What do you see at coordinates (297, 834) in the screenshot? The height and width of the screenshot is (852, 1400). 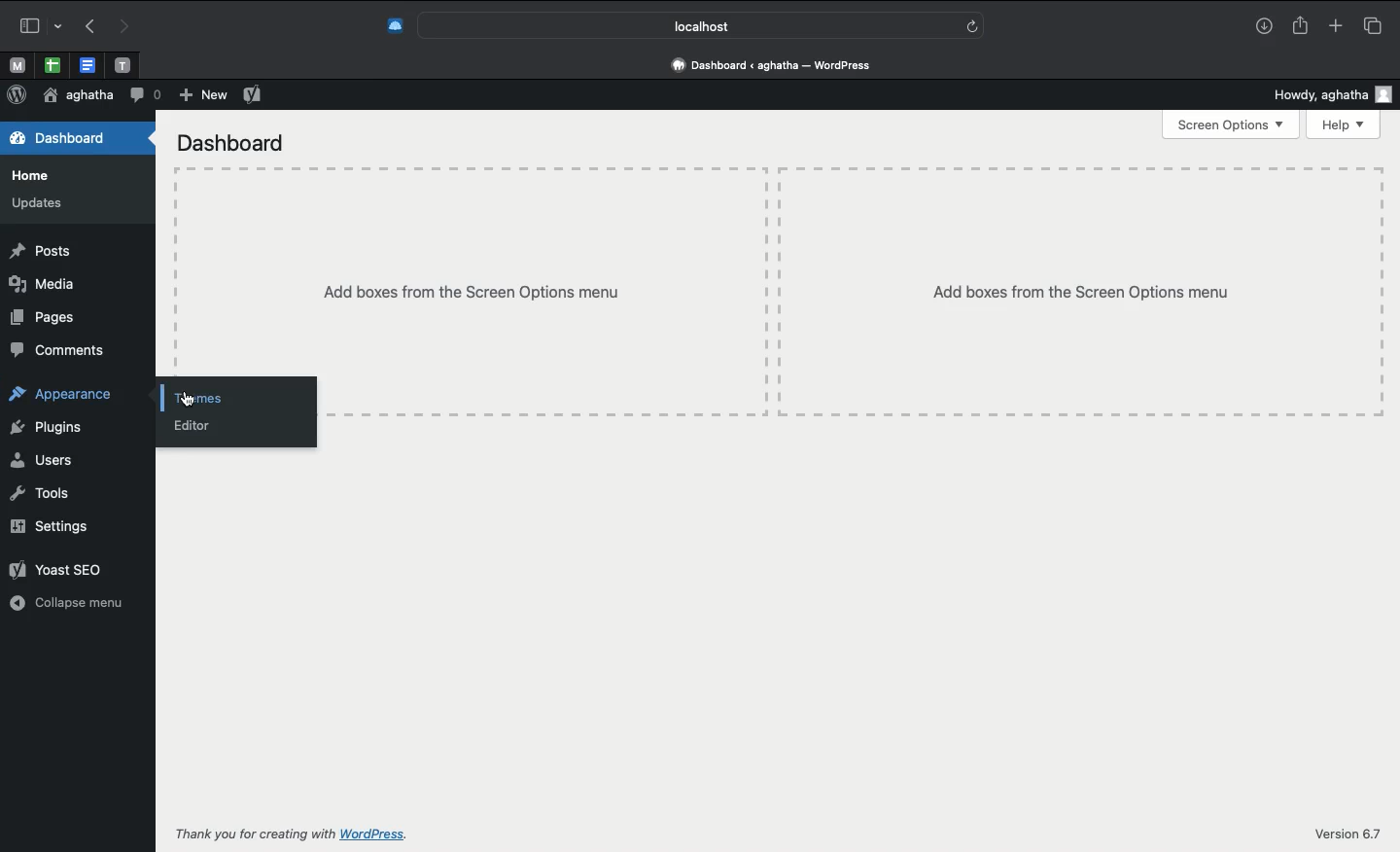 I see `Thank you for creating with wordpress` at bounding box center [297, 834].